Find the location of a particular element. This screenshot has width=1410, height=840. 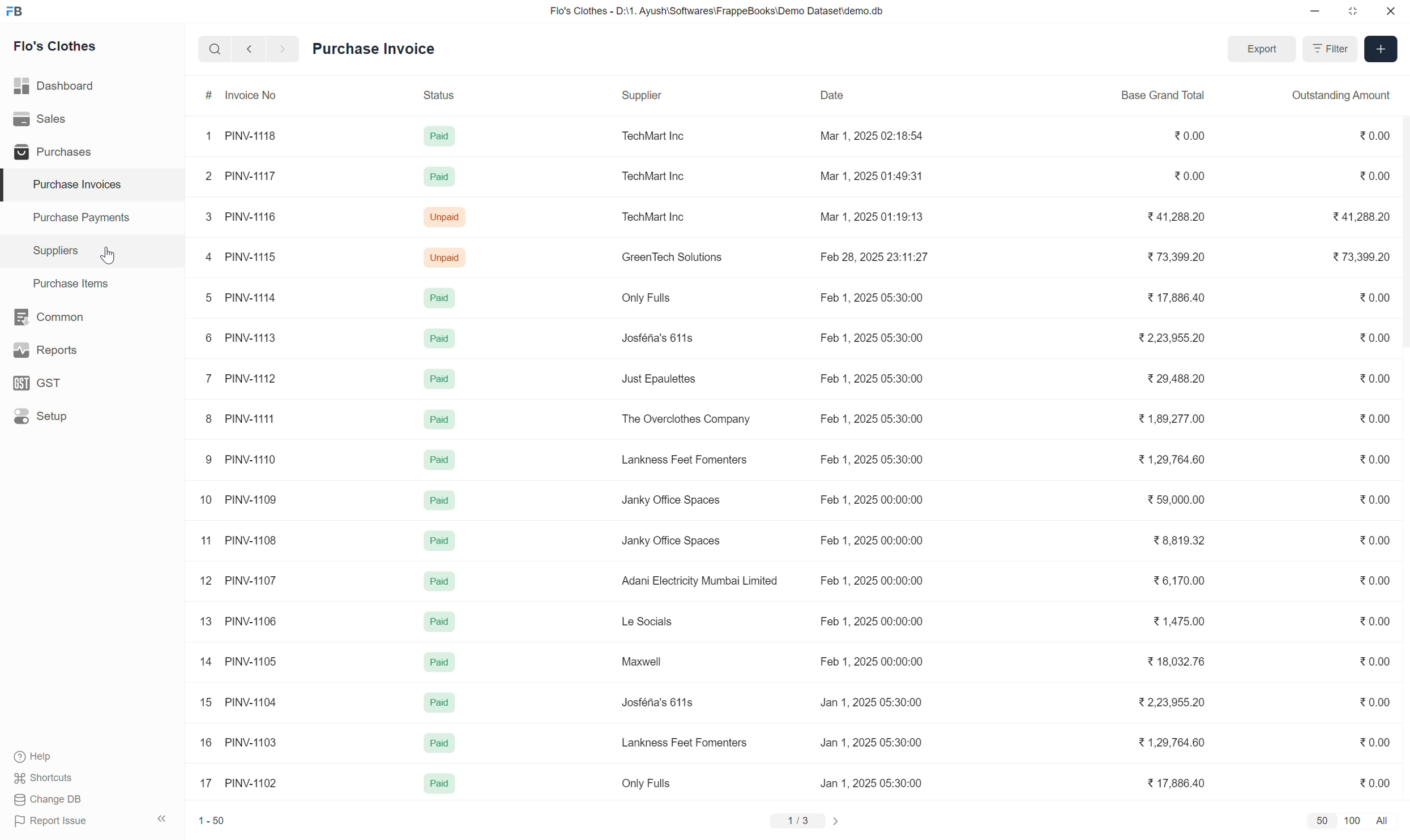

Filter is located at coordinates (1330, 49).